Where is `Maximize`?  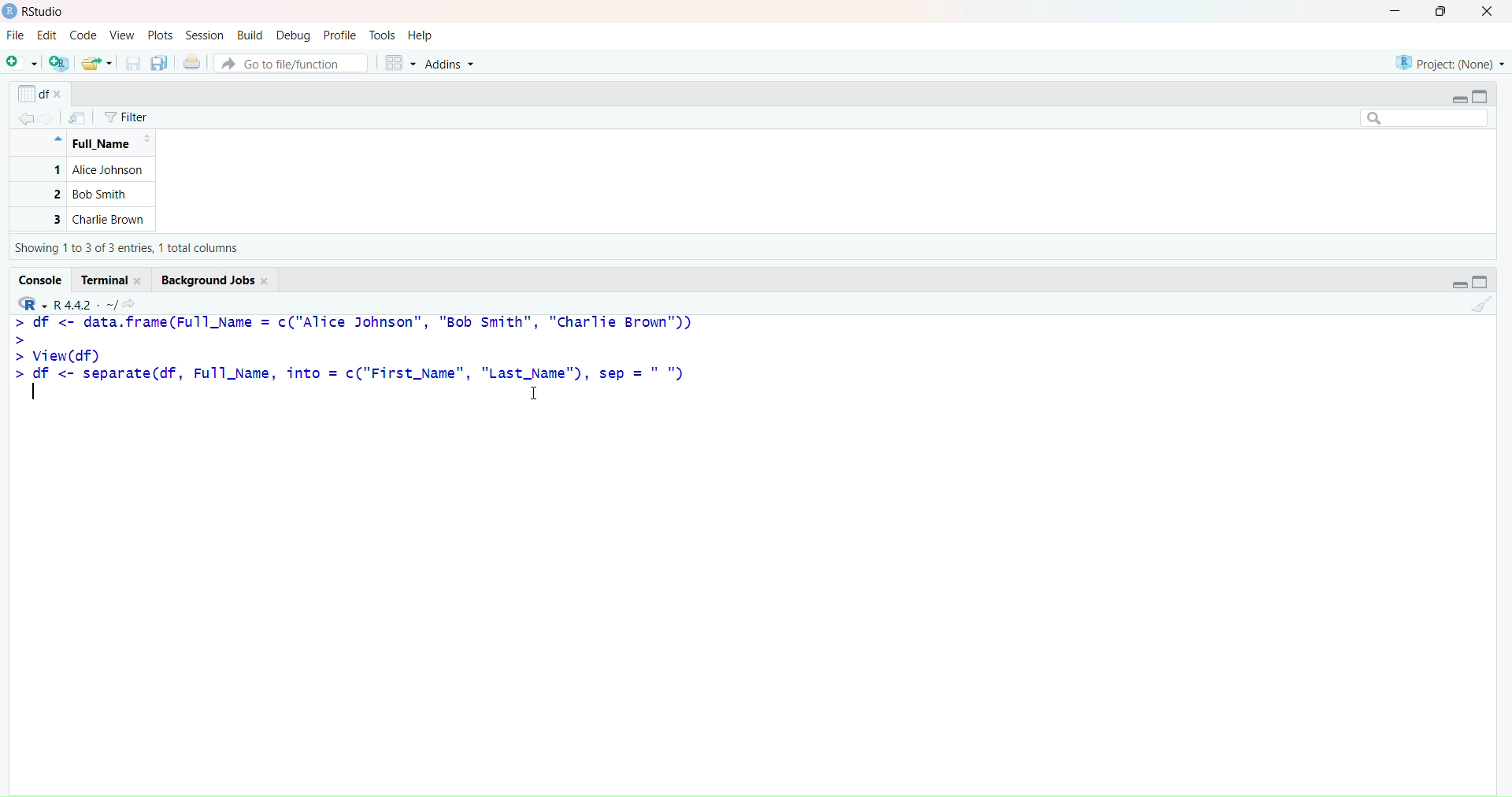
Maximize is located at coordinates (1485, 281).